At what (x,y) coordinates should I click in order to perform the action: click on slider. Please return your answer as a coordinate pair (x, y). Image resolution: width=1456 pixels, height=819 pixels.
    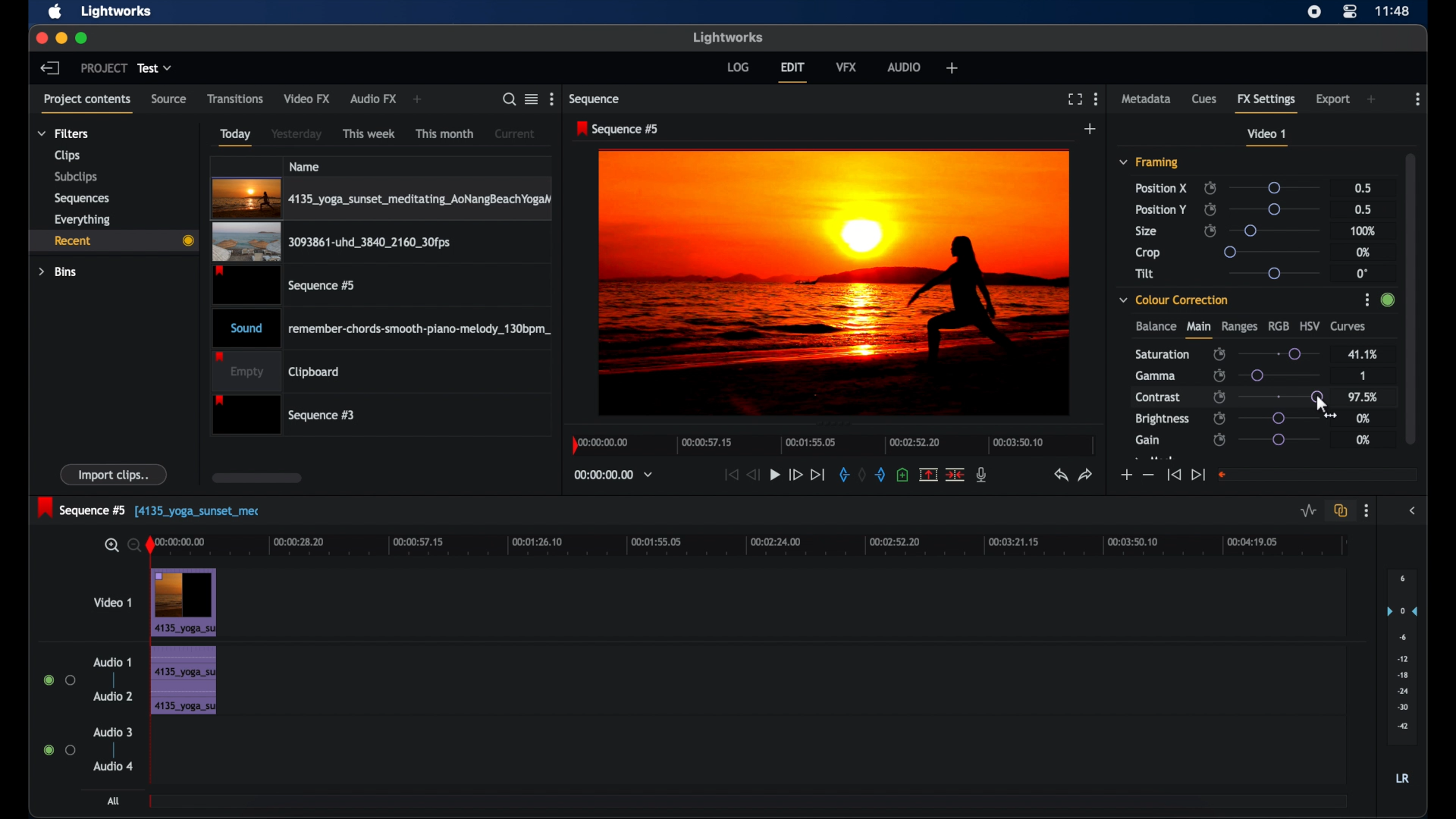
    Looking at the image, I should click on (1273, 187).